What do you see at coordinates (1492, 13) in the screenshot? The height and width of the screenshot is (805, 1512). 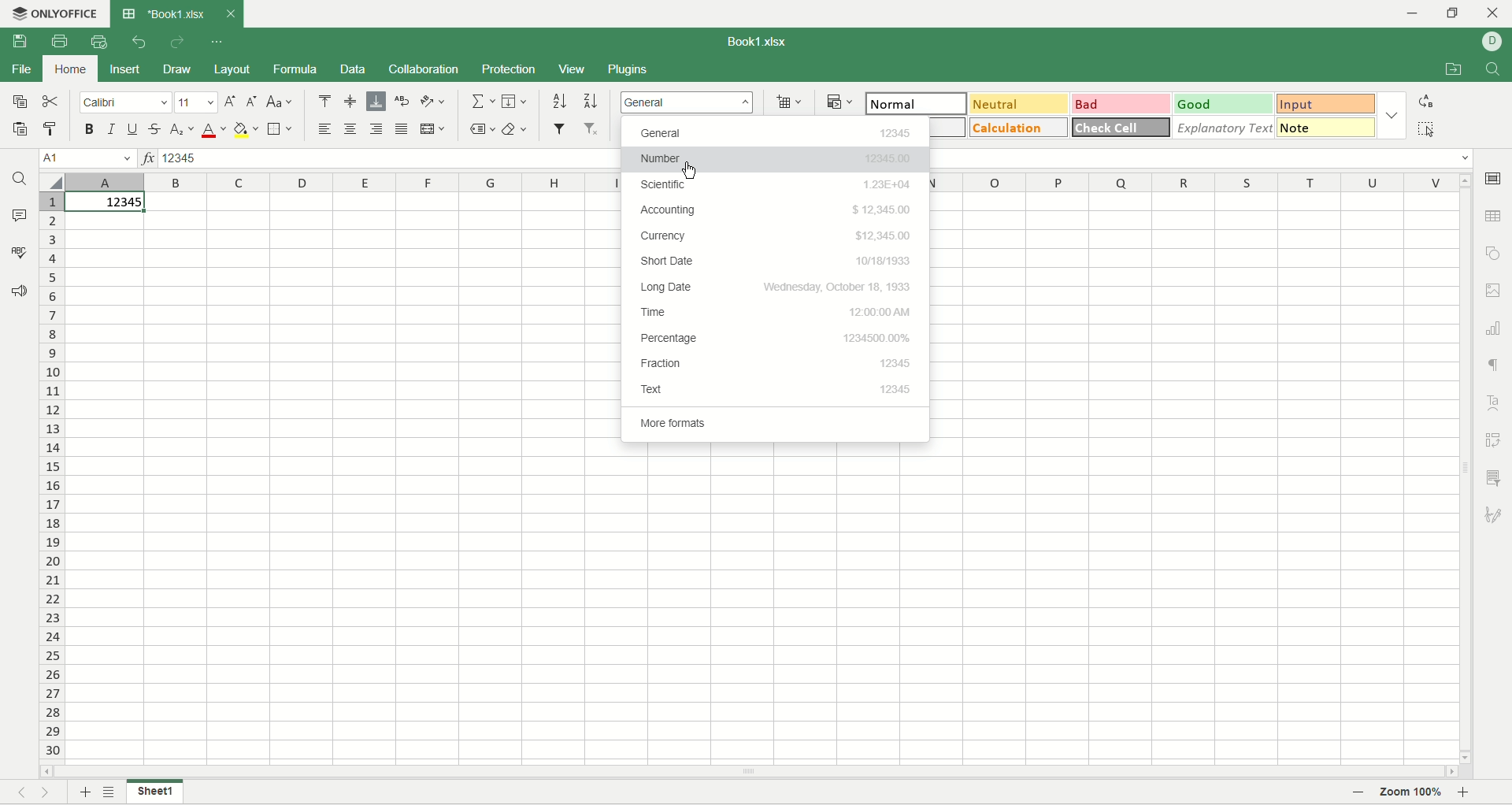 I see `close` at bounding box center [1492, 13].